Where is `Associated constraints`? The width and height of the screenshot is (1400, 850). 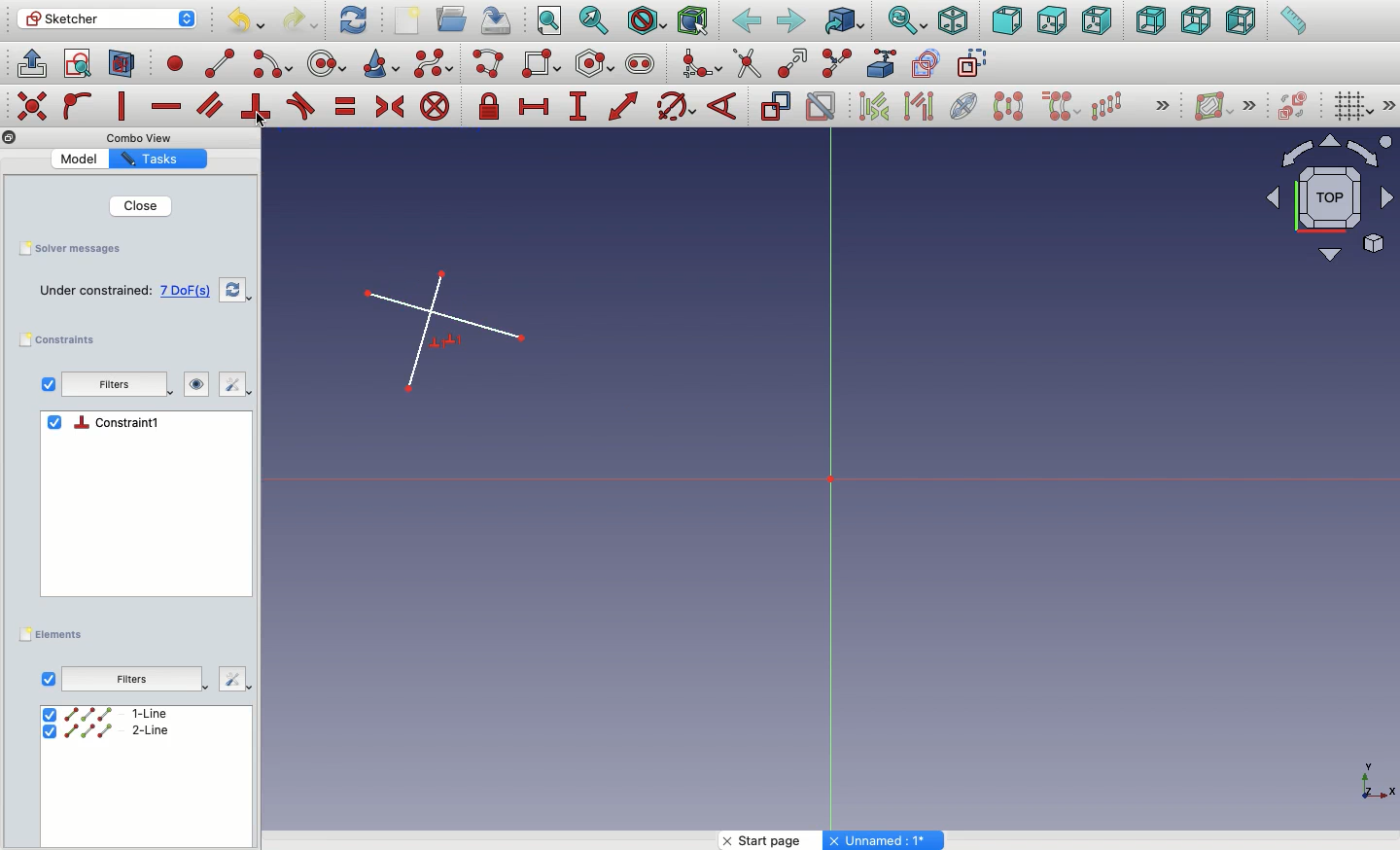
Associated constraints is located at coordinates (877, 106).